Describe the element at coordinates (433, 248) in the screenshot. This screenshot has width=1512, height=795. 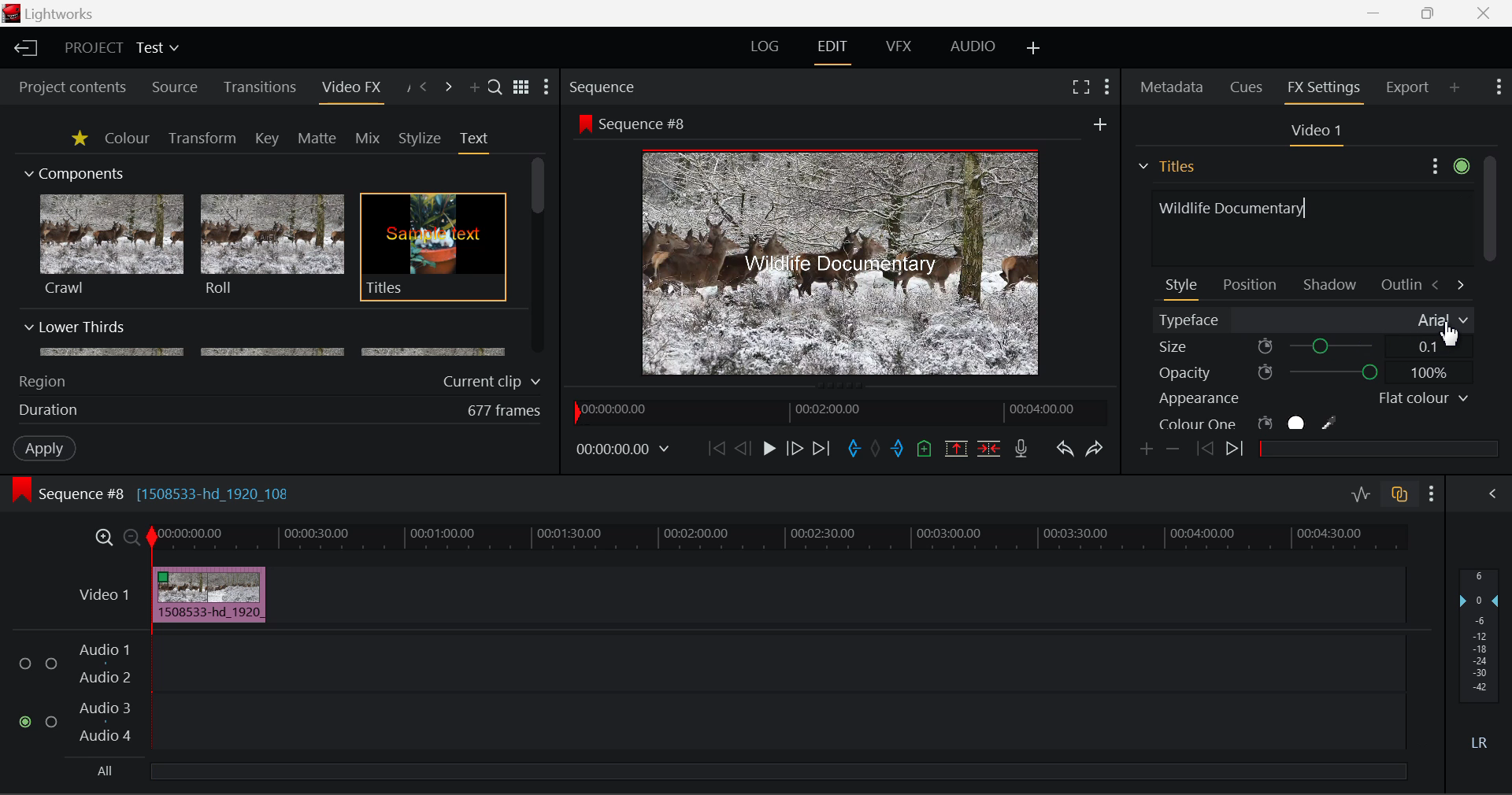
I see `Titles` at that location.